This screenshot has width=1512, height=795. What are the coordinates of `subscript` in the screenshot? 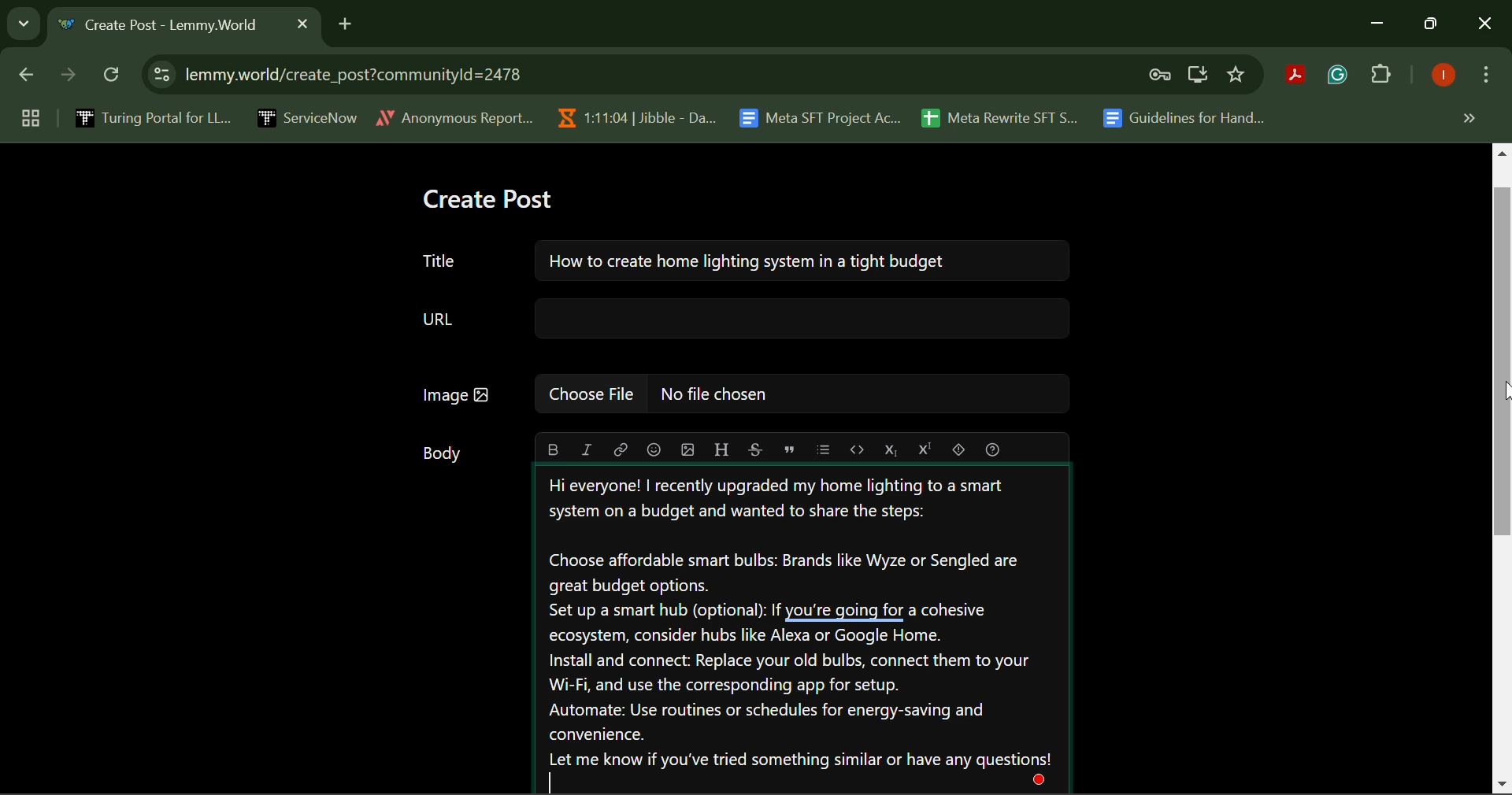 It's located at (892, 449).